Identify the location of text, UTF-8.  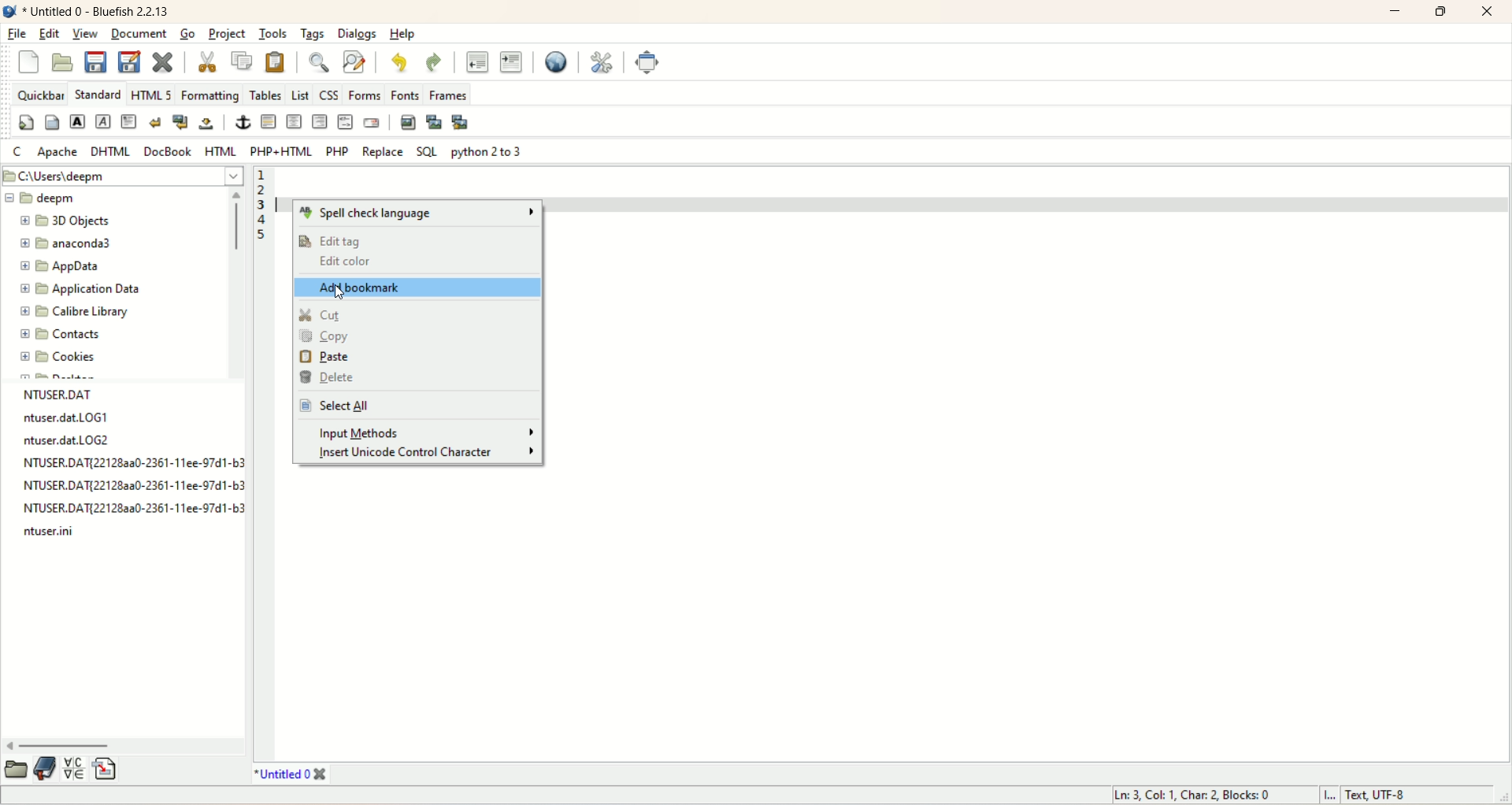
(1387, 796).